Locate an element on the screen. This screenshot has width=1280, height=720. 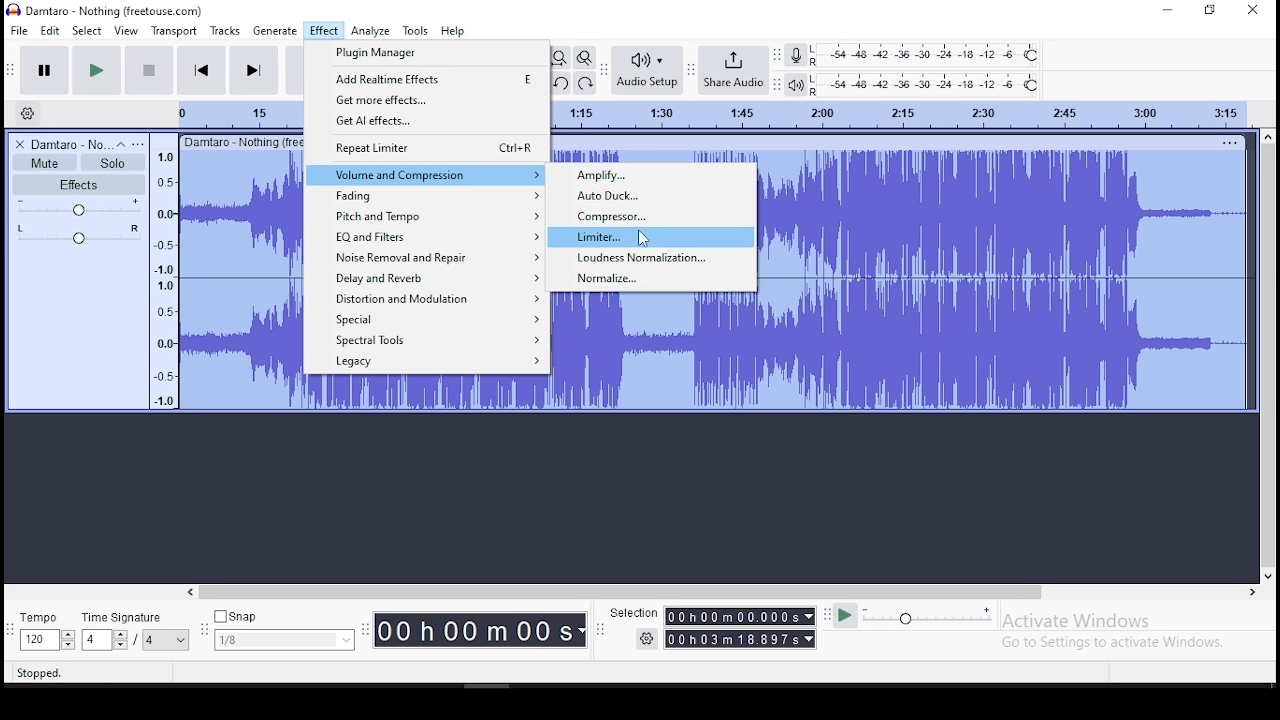
00 h 00 m 00 s is located at coordinates (479, 631).